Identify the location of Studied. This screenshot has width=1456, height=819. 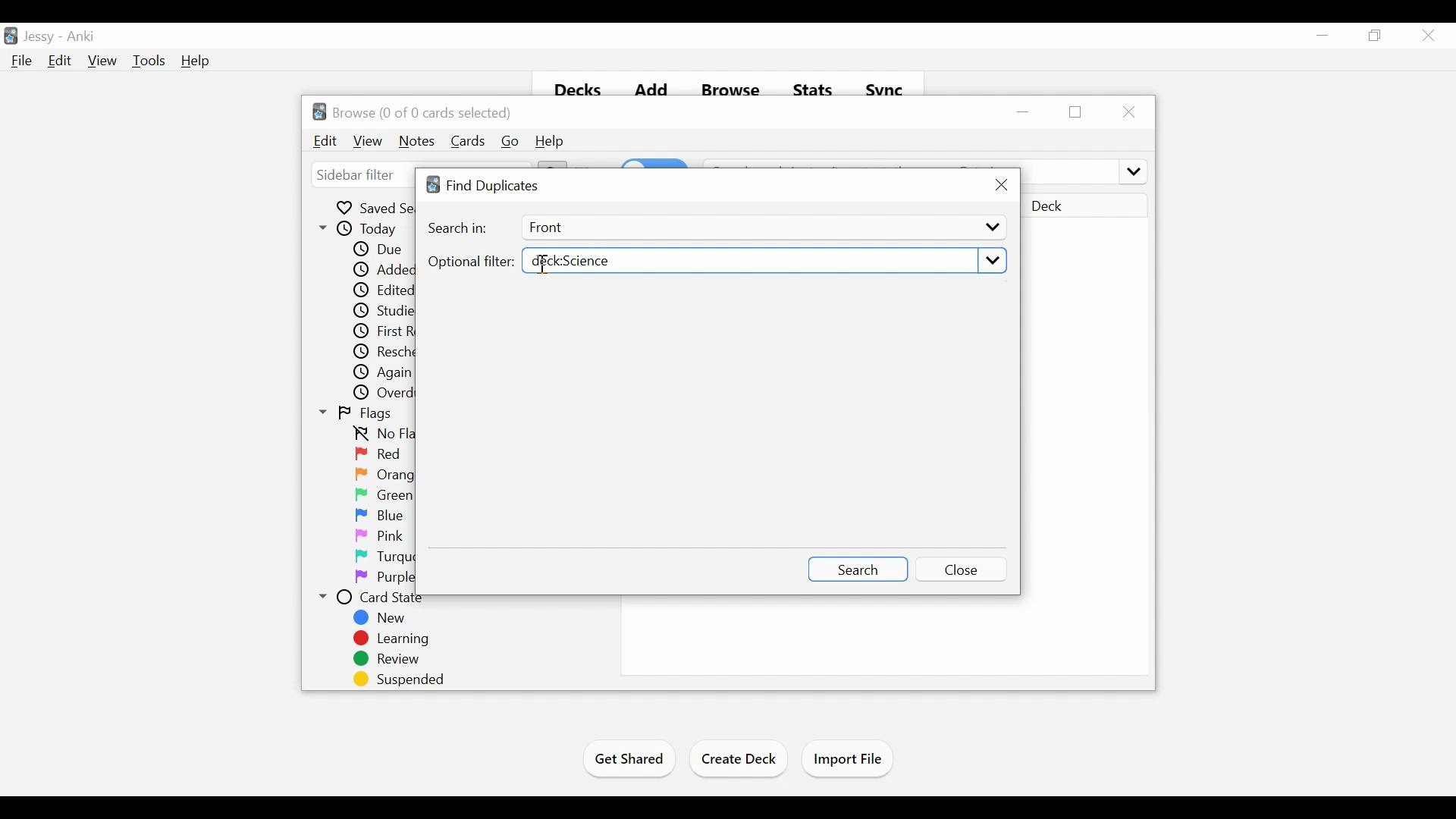
(381, 312).